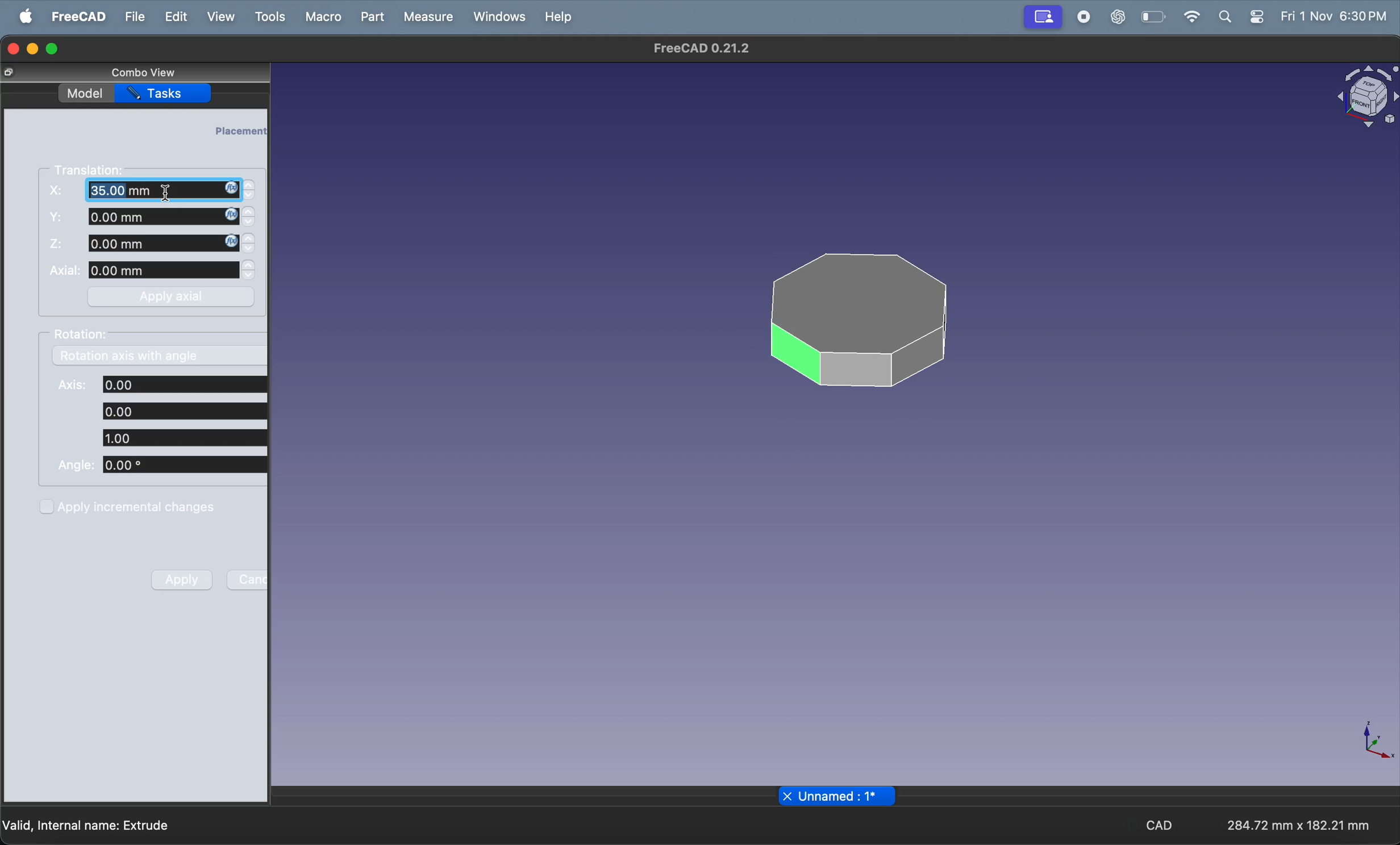 The width and height of the screenshot is (1400, 845). I want to click on down, so click(249, 197).